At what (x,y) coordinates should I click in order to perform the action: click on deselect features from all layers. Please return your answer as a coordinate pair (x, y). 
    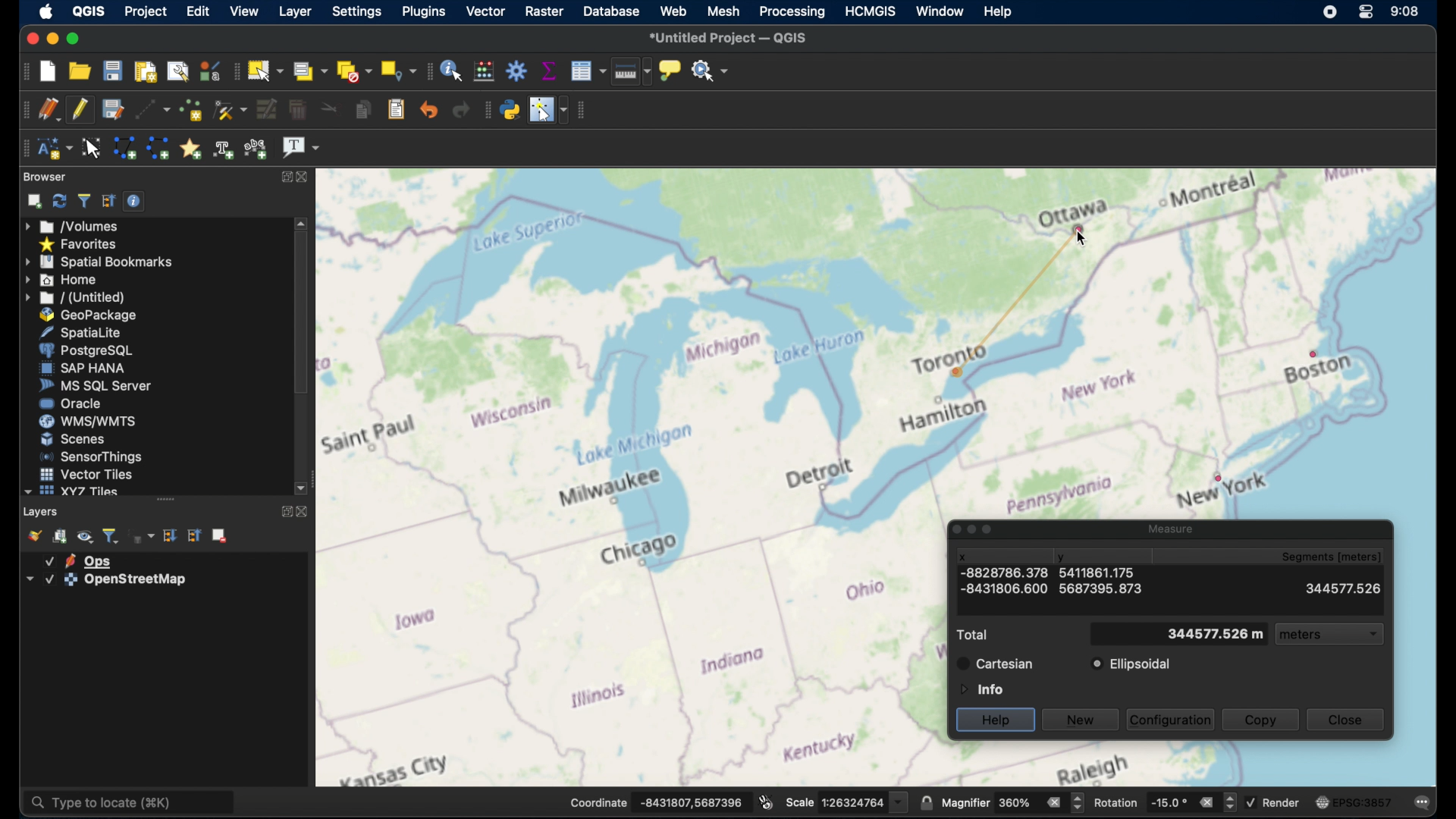
    Looking at the image, I should click on (353, 71).